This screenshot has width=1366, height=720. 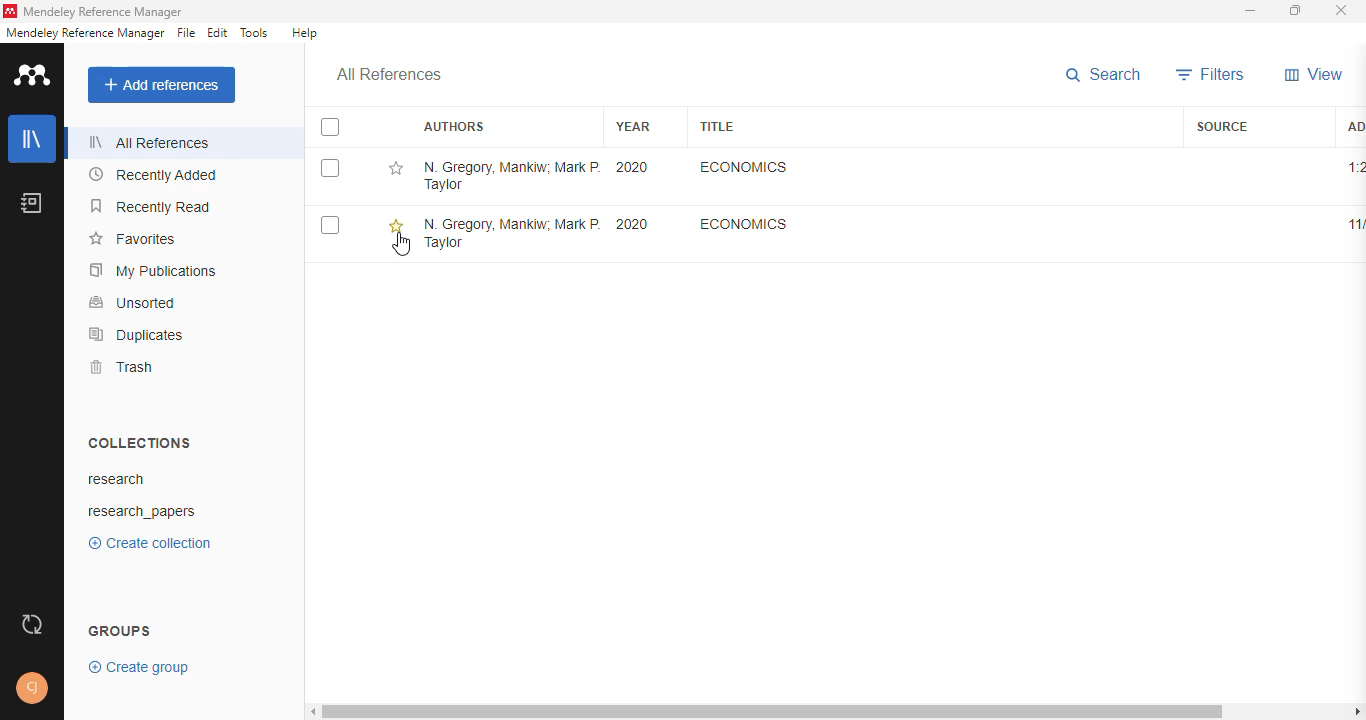 What do you see at coordinates (632, 126) in the screenshot?
I see `year` at bounding box center [632, 126].